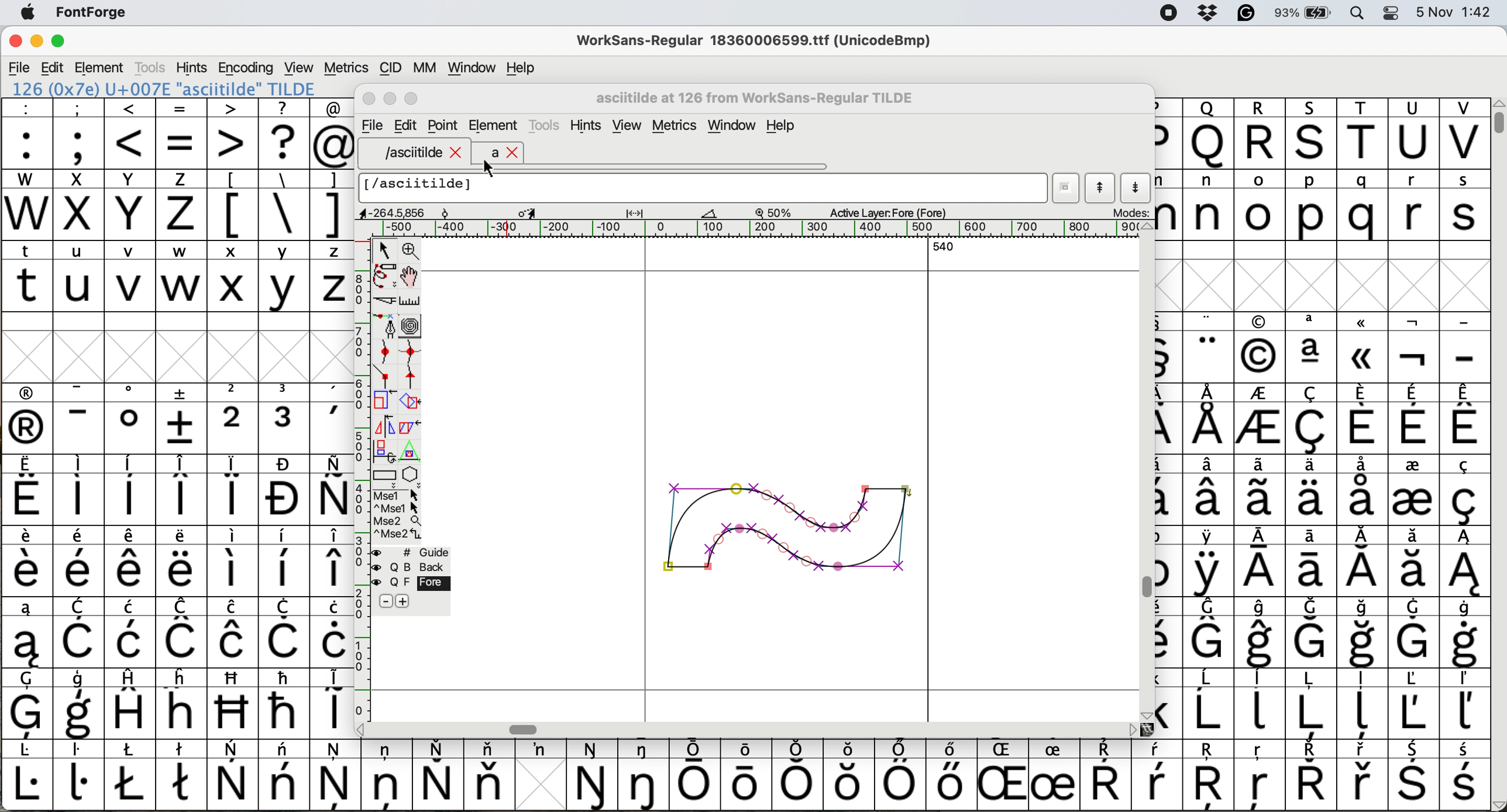 This screenshot has width=1507, height=812. Describe the element at coordinates (1261, 776) in the screenshot. I see `` at that location.